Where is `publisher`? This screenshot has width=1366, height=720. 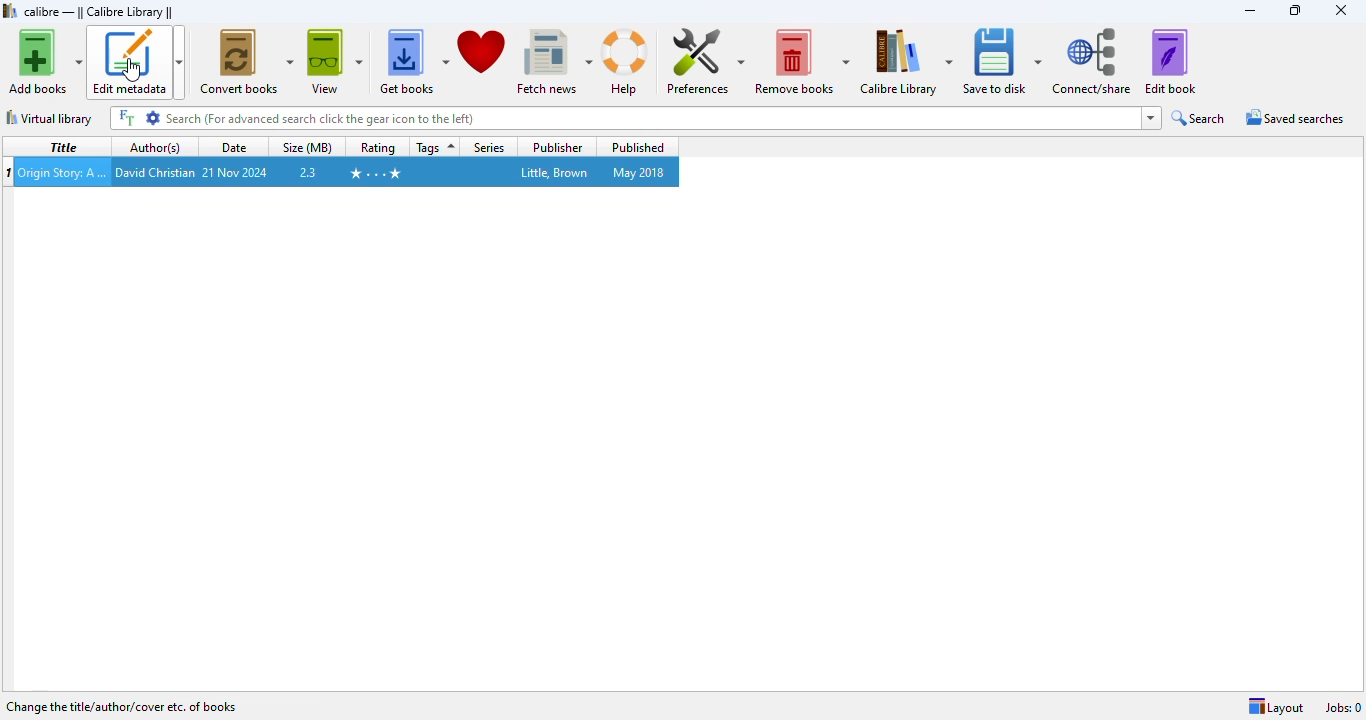
publisher is located at coordinates (556, 146).